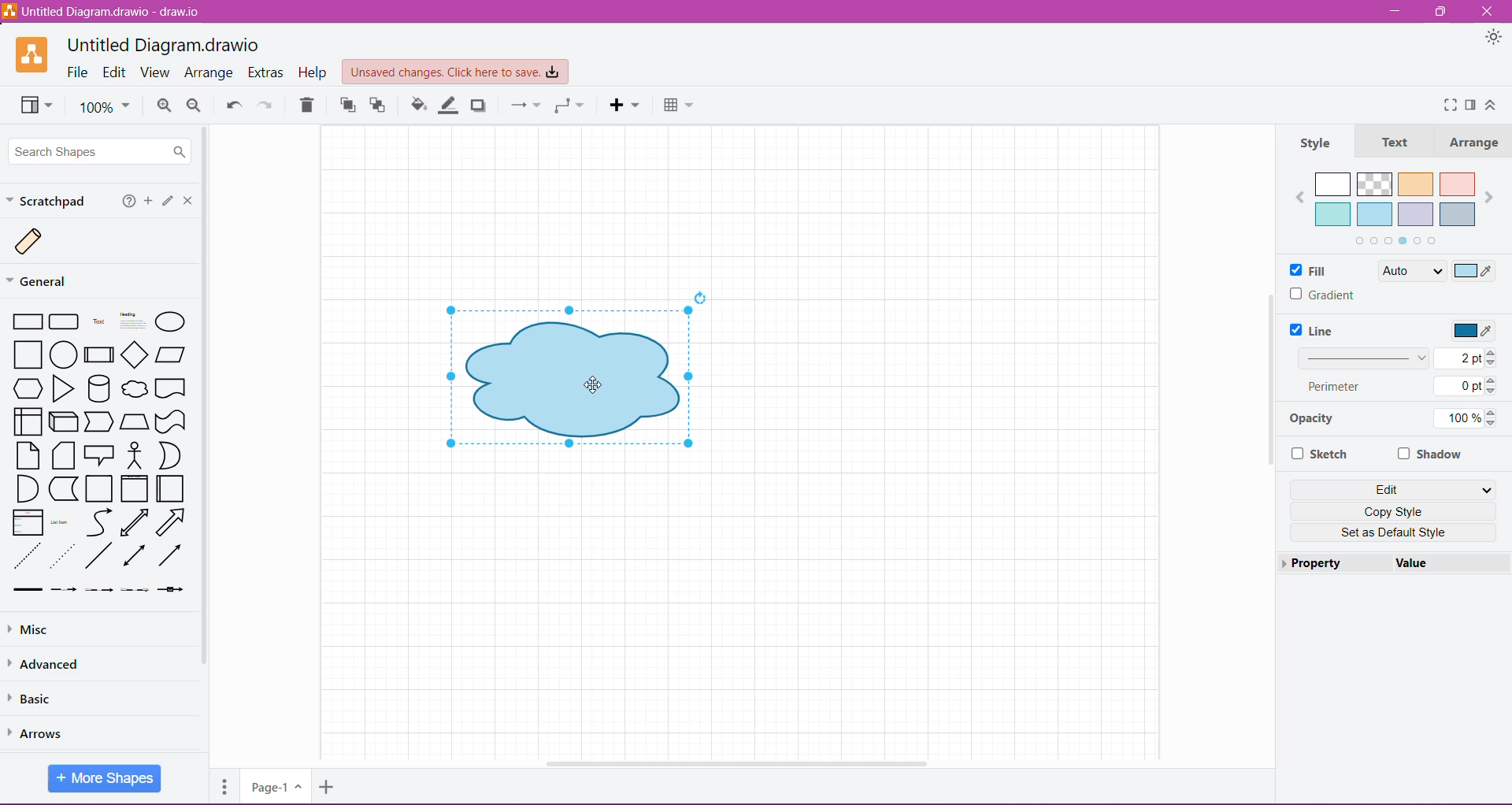 The height and width of the screenshot is (805, 1512). Describe the element at coordinates (46, 280) in the screenshot. I see `General` at that location.